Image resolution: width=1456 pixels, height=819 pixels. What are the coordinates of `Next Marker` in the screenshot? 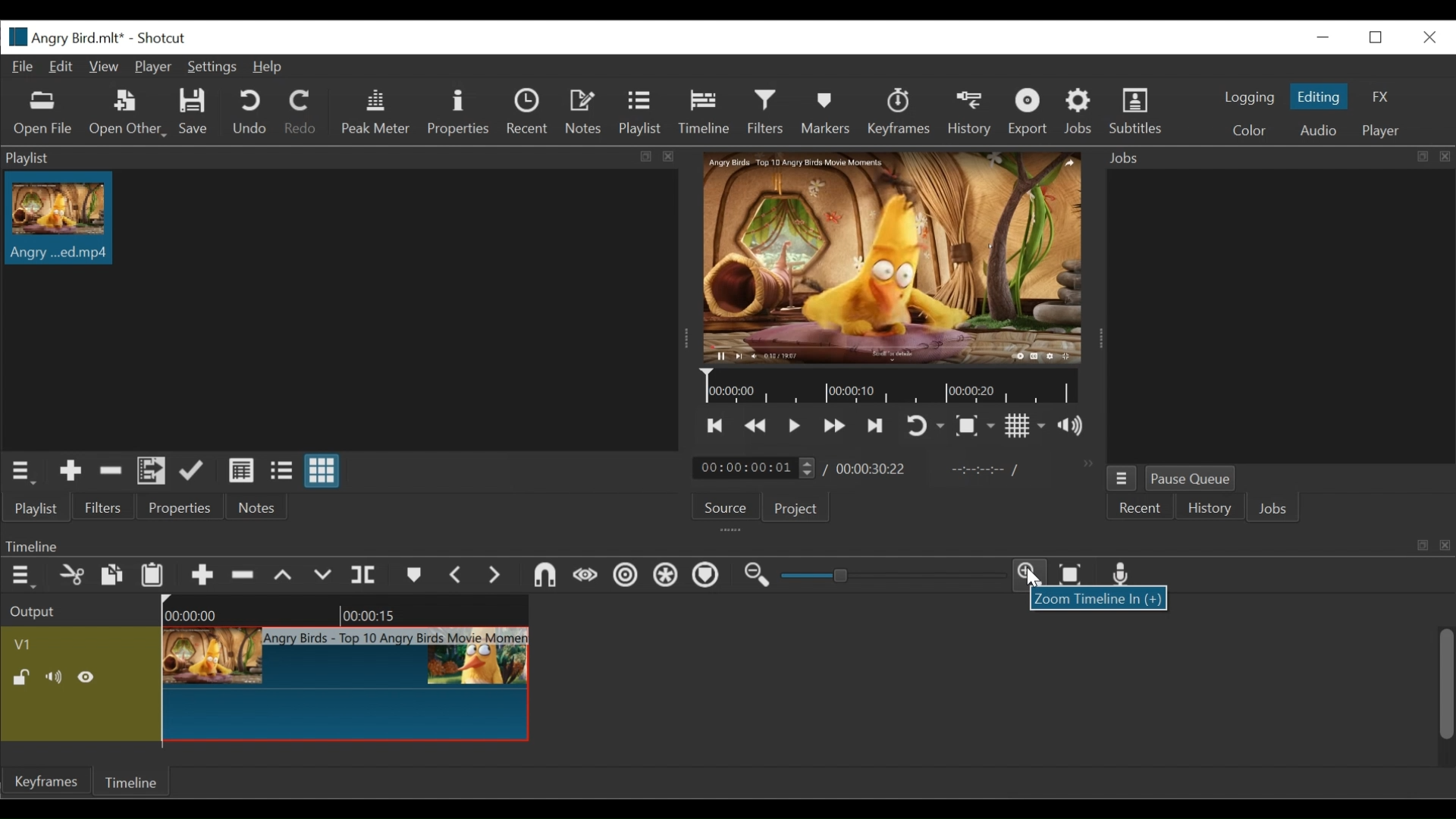 It's located at (495, 576).